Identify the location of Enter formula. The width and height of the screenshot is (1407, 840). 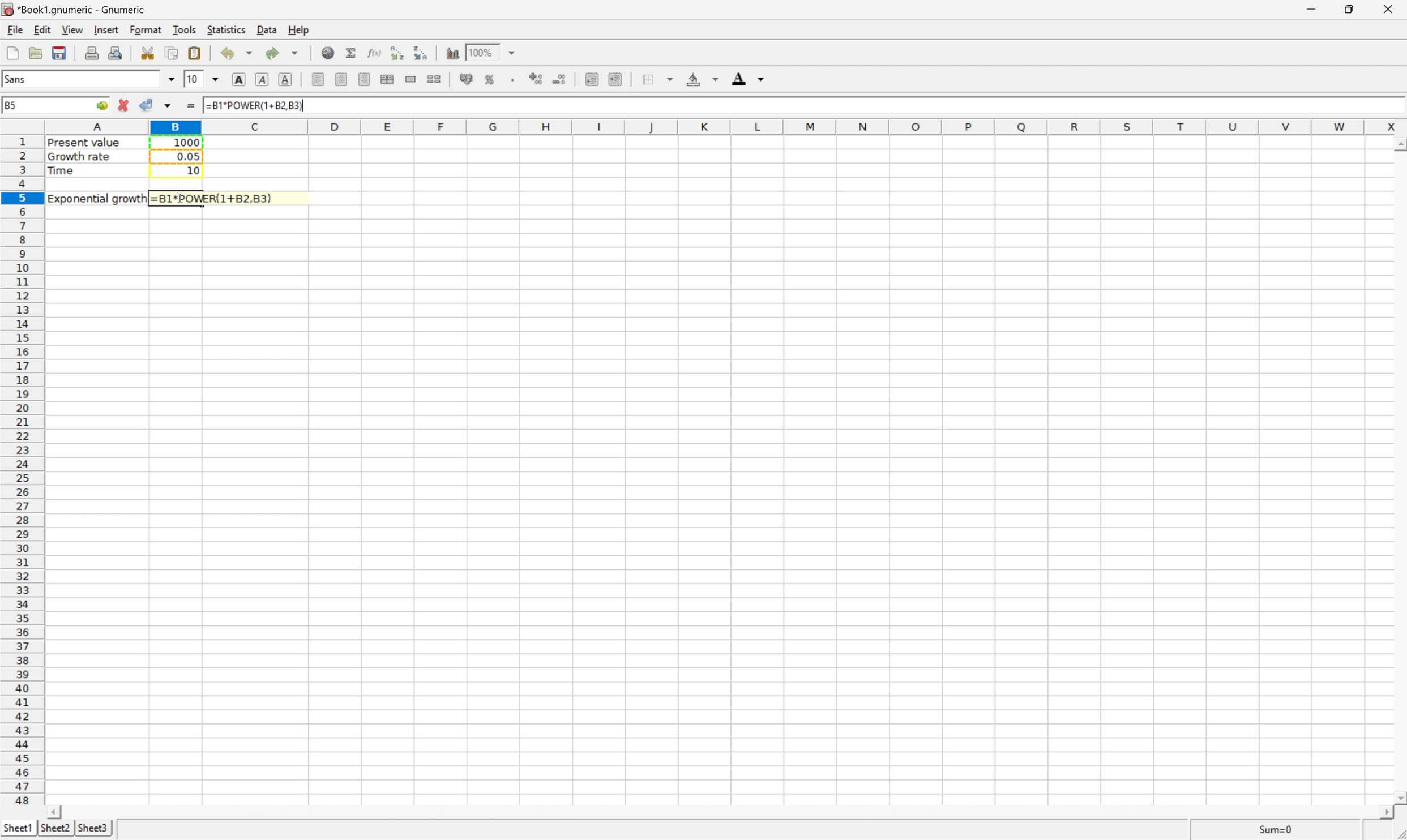
(191, 106).